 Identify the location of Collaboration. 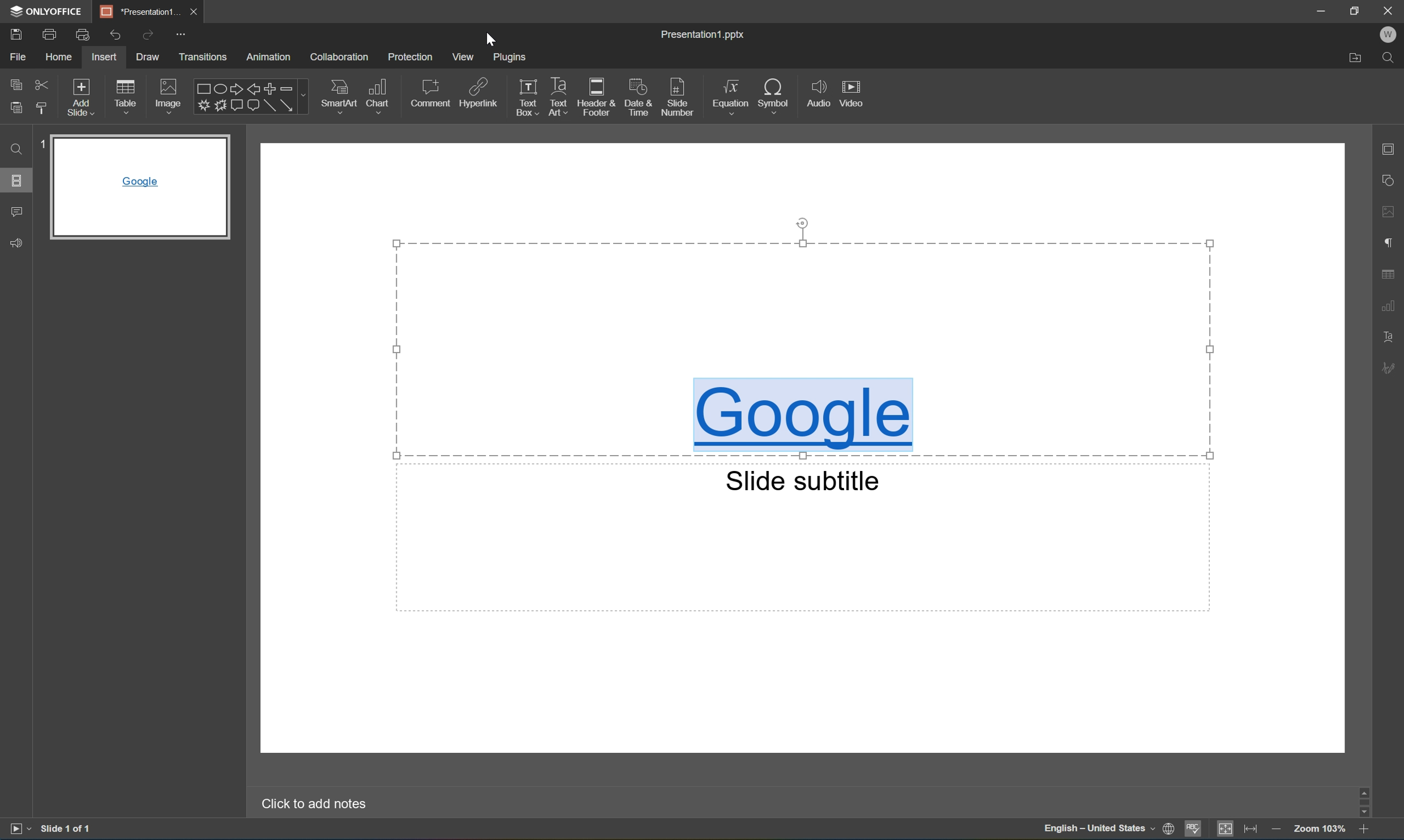
(338, 57).